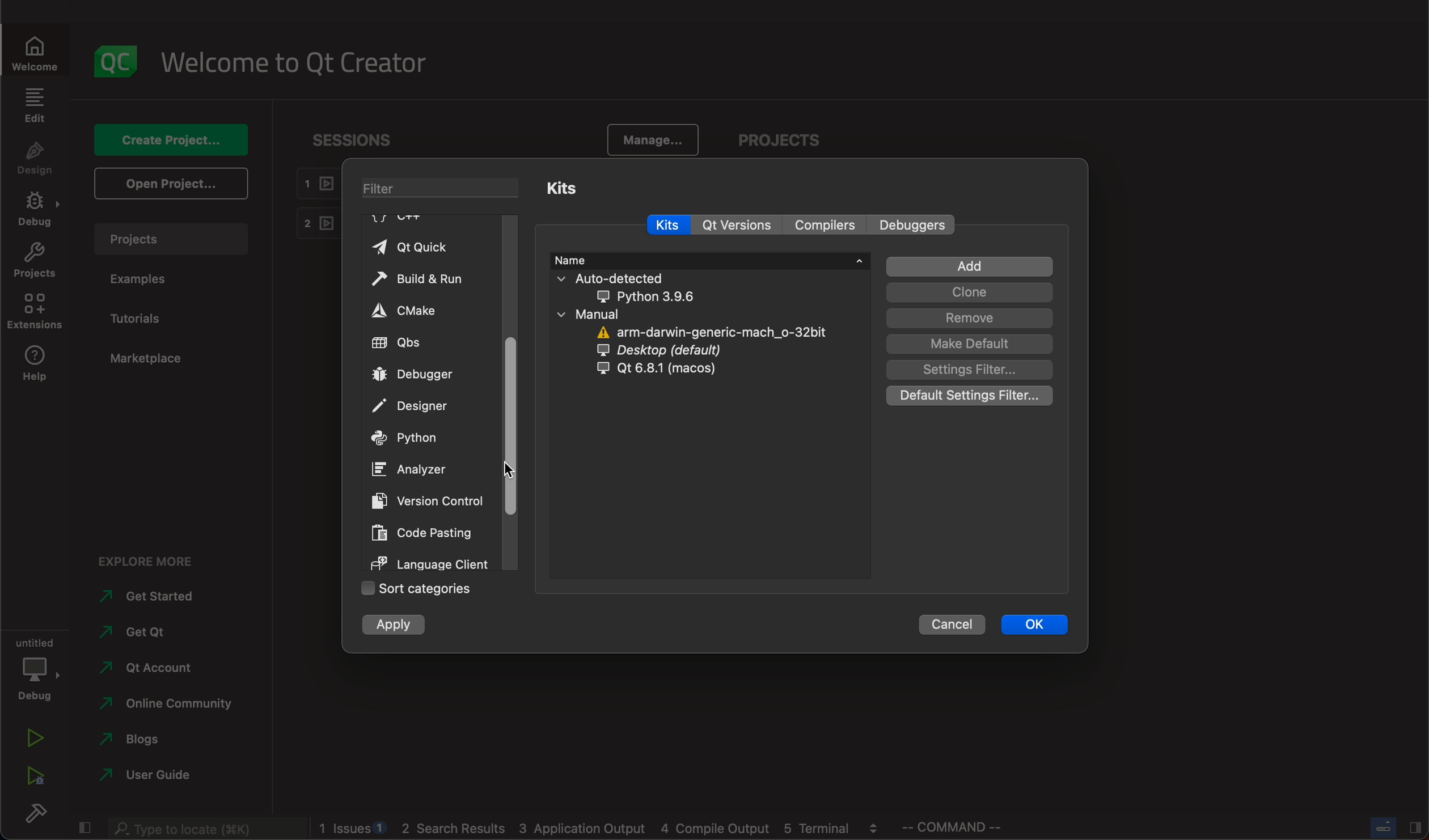  Describe the element at coordinates (33, 311) in the screenshot. I see `extenstions` at that location.